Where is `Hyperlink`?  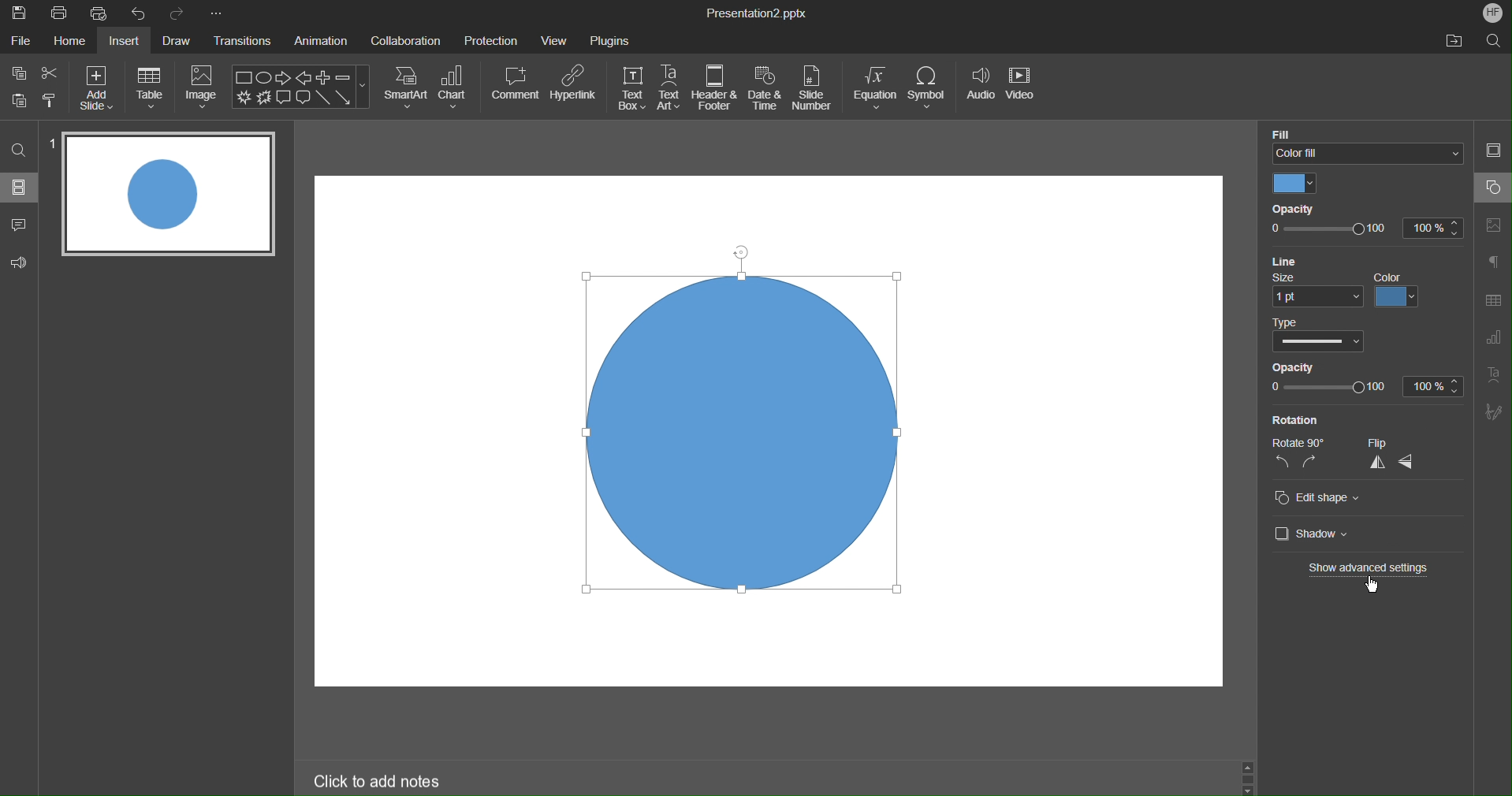
Hyperlink is located at coordinates (573, 84).